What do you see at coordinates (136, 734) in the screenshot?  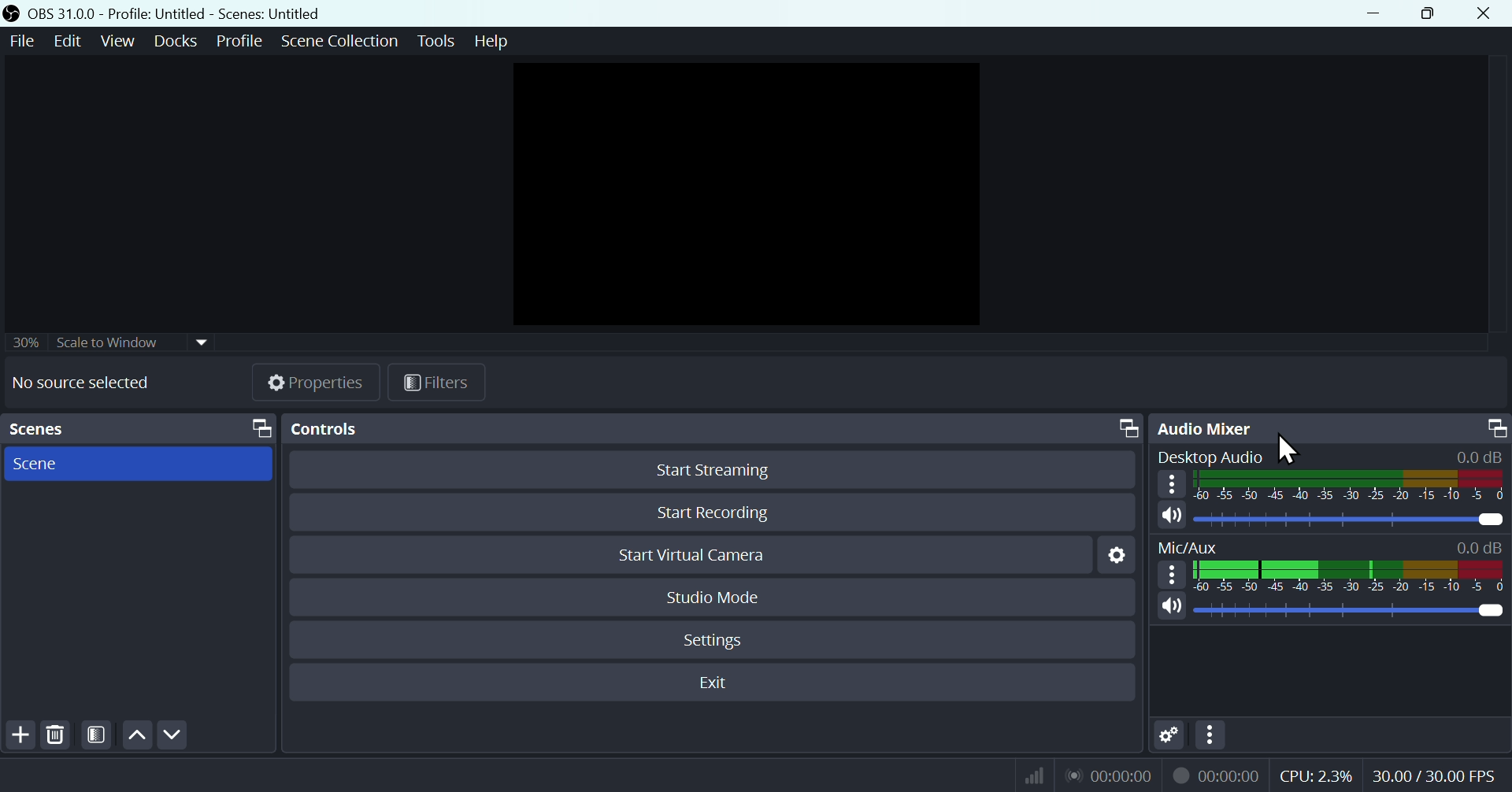 I see `up` at bounding box center [136, 734].